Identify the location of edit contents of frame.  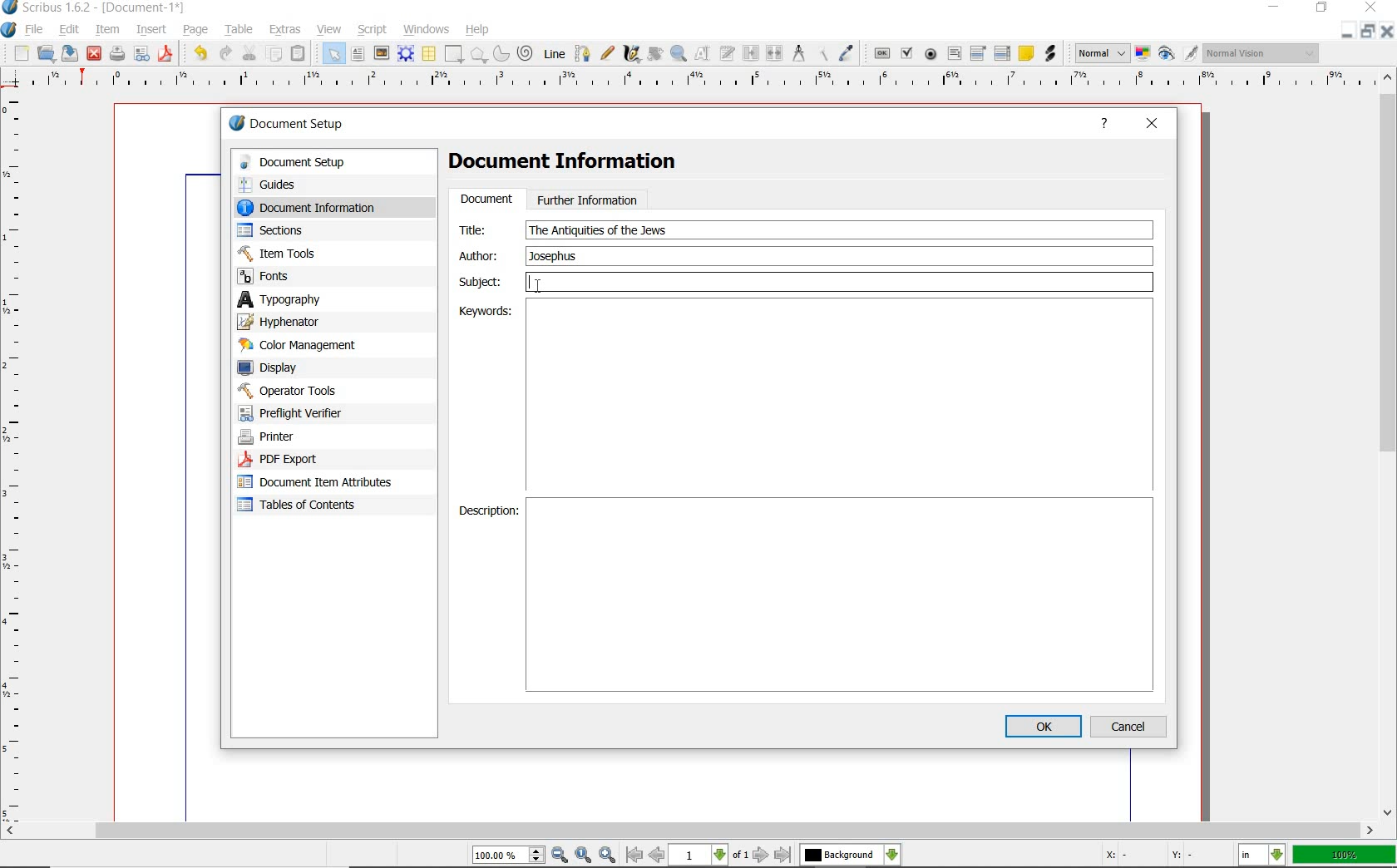
(704, 55).